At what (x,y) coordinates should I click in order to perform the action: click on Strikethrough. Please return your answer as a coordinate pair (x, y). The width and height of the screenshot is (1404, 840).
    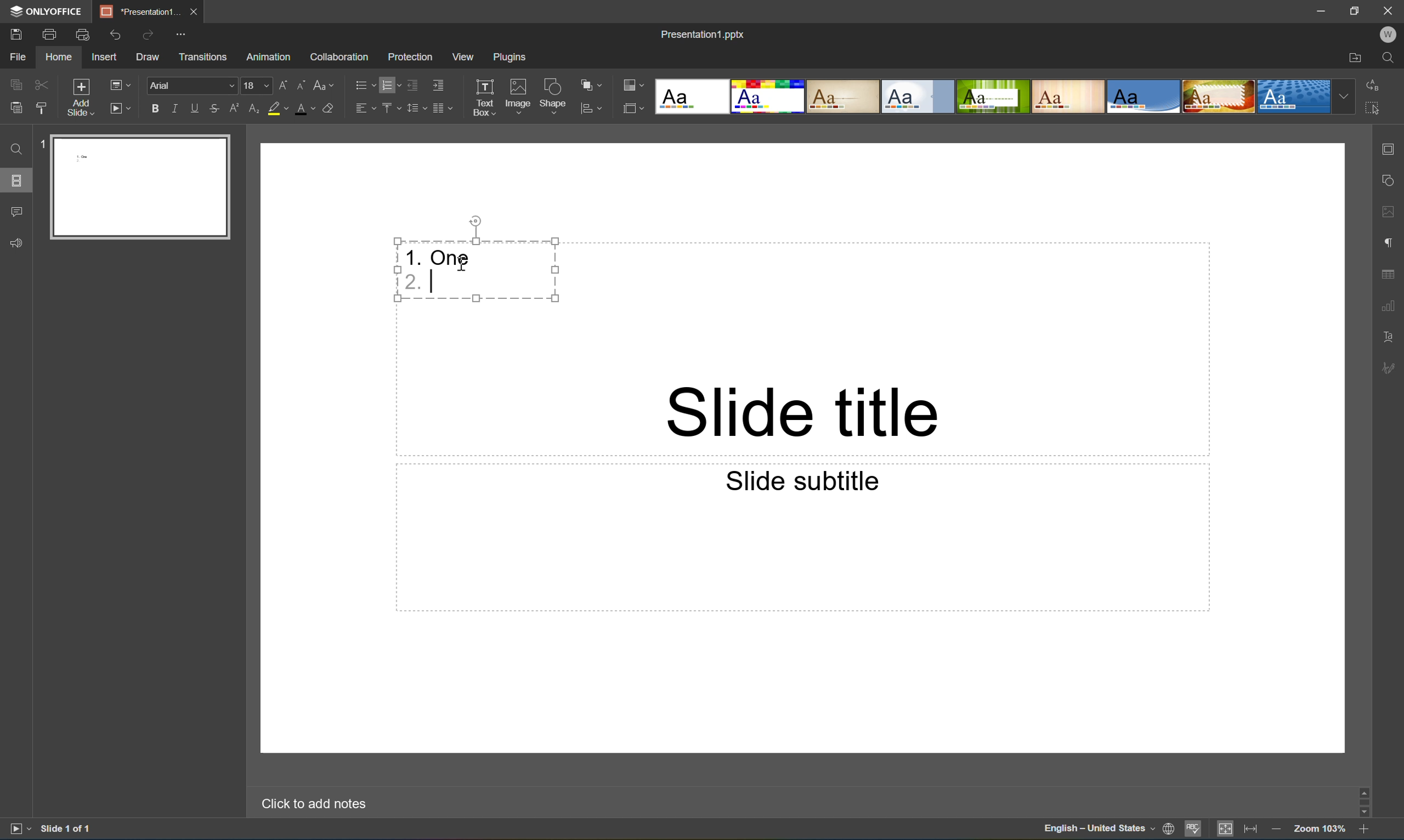
    Looking at the image, I should click on (215, 108).